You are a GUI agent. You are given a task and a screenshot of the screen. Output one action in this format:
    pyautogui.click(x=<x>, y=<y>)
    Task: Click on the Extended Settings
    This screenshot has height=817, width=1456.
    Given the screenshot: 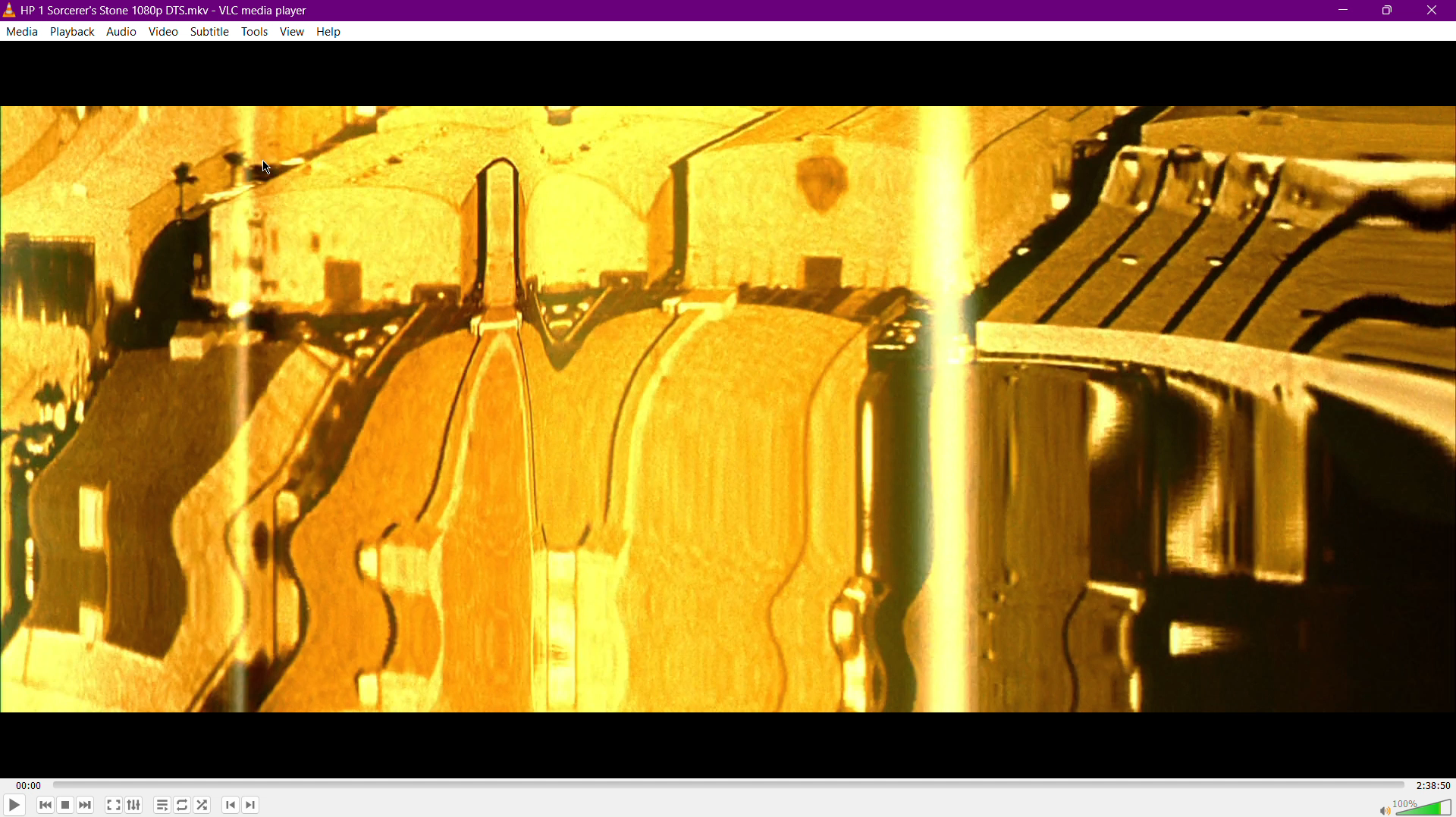 What is the action you would take?
    pyautogui.click(x=135, y=803)
    